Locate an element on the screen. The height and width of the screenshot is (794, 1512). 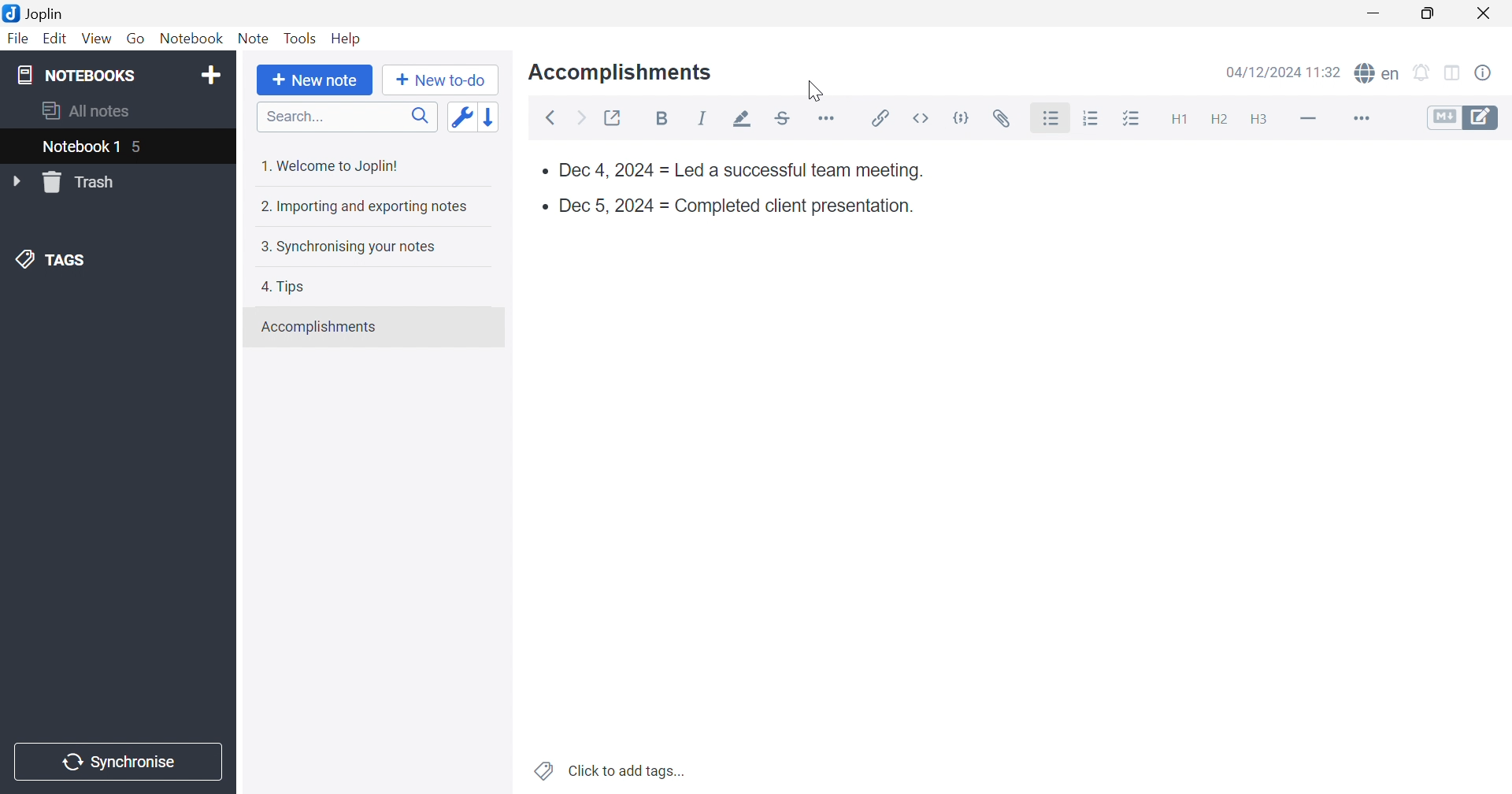
Edit is located at coordinates (57, 40).